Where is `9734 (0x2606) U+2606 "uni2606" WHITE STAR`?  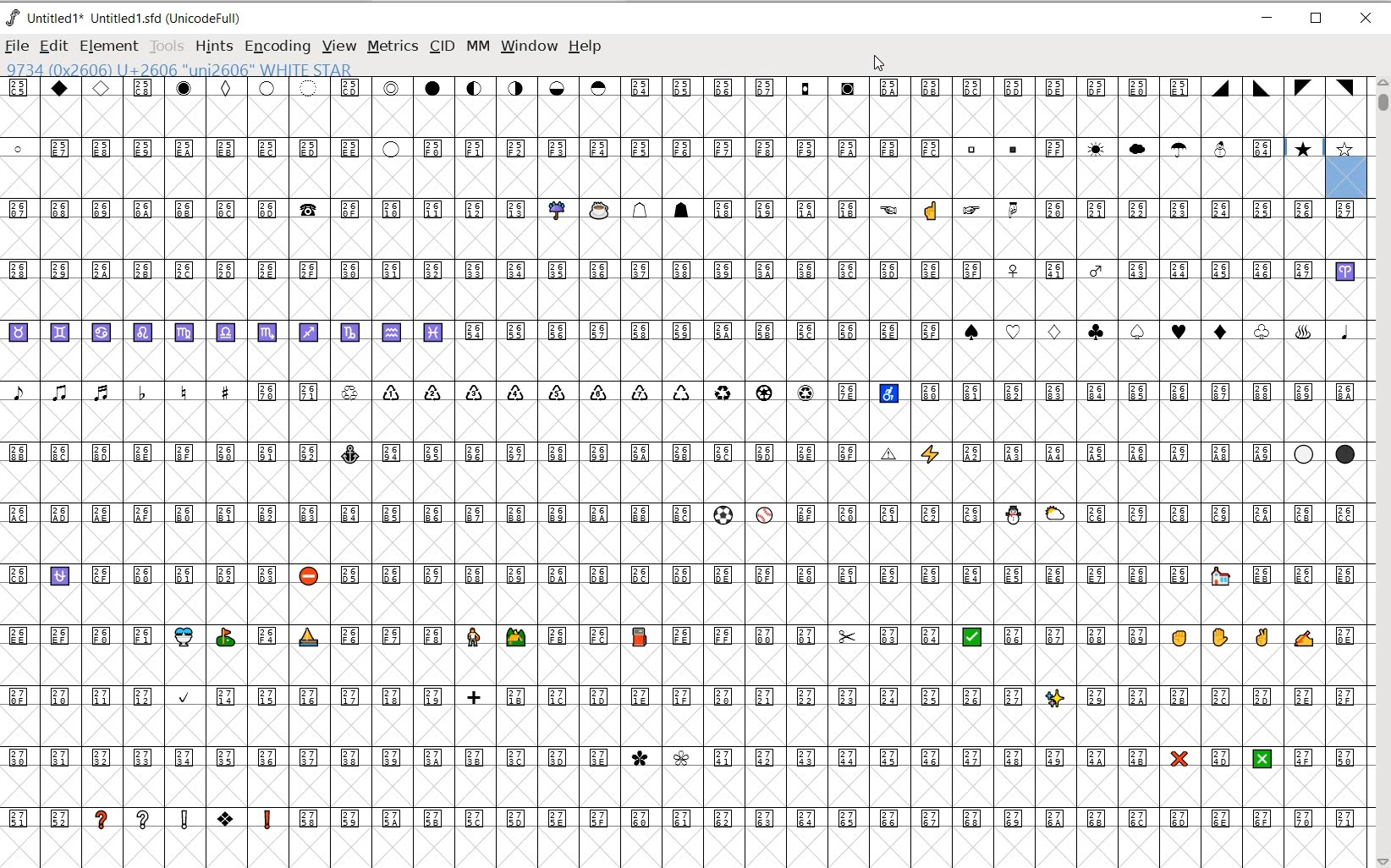 9734 (0x2606) U+2606 "uni2606" WHITE STAR is located at coordinates (180, 70).